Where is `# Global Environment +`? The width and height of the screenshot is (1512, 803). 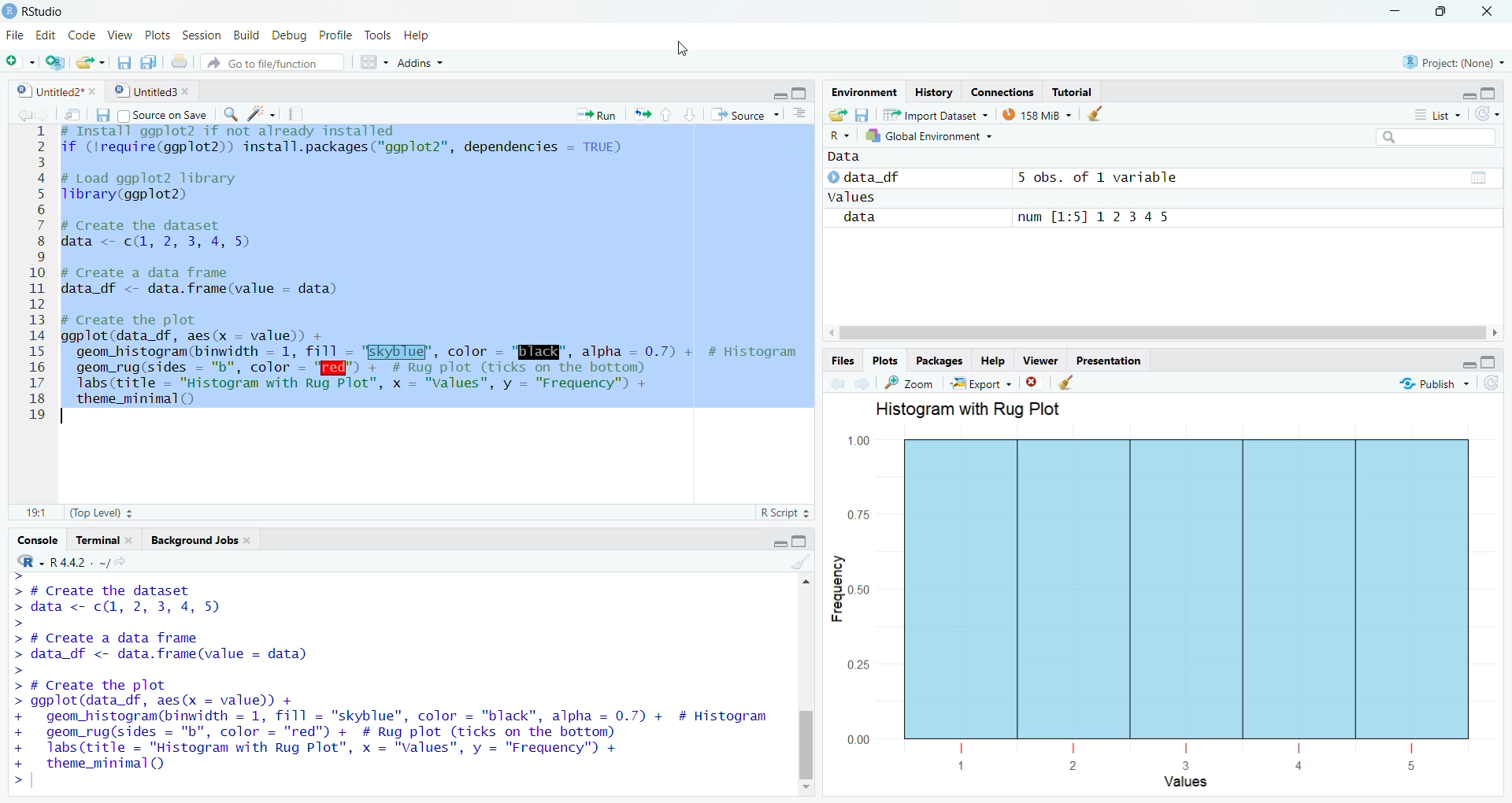
# Global Environment + is located at coordinates (928, 134).